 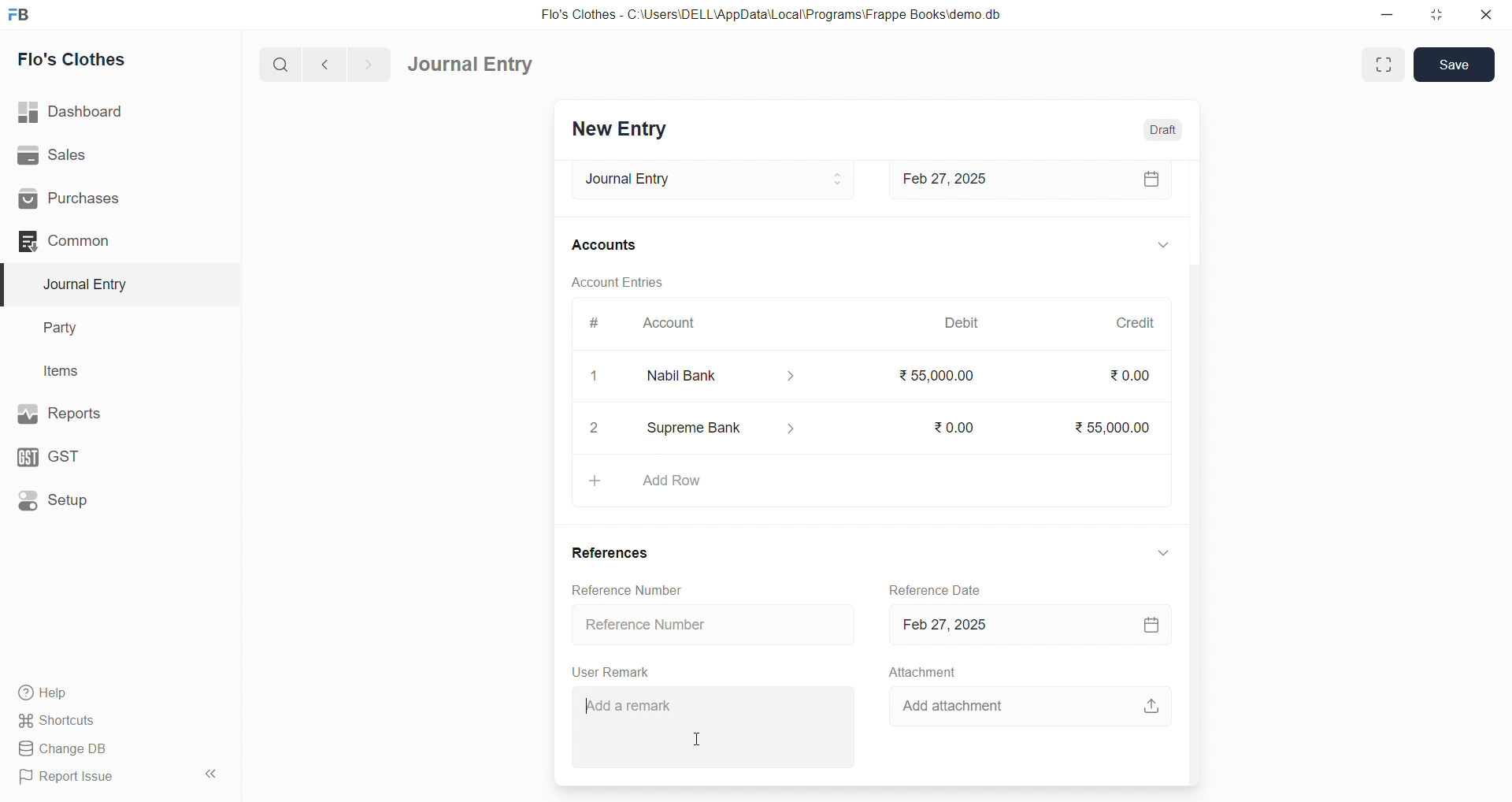 I want to click on minimize, so click(x=1384, y=13).